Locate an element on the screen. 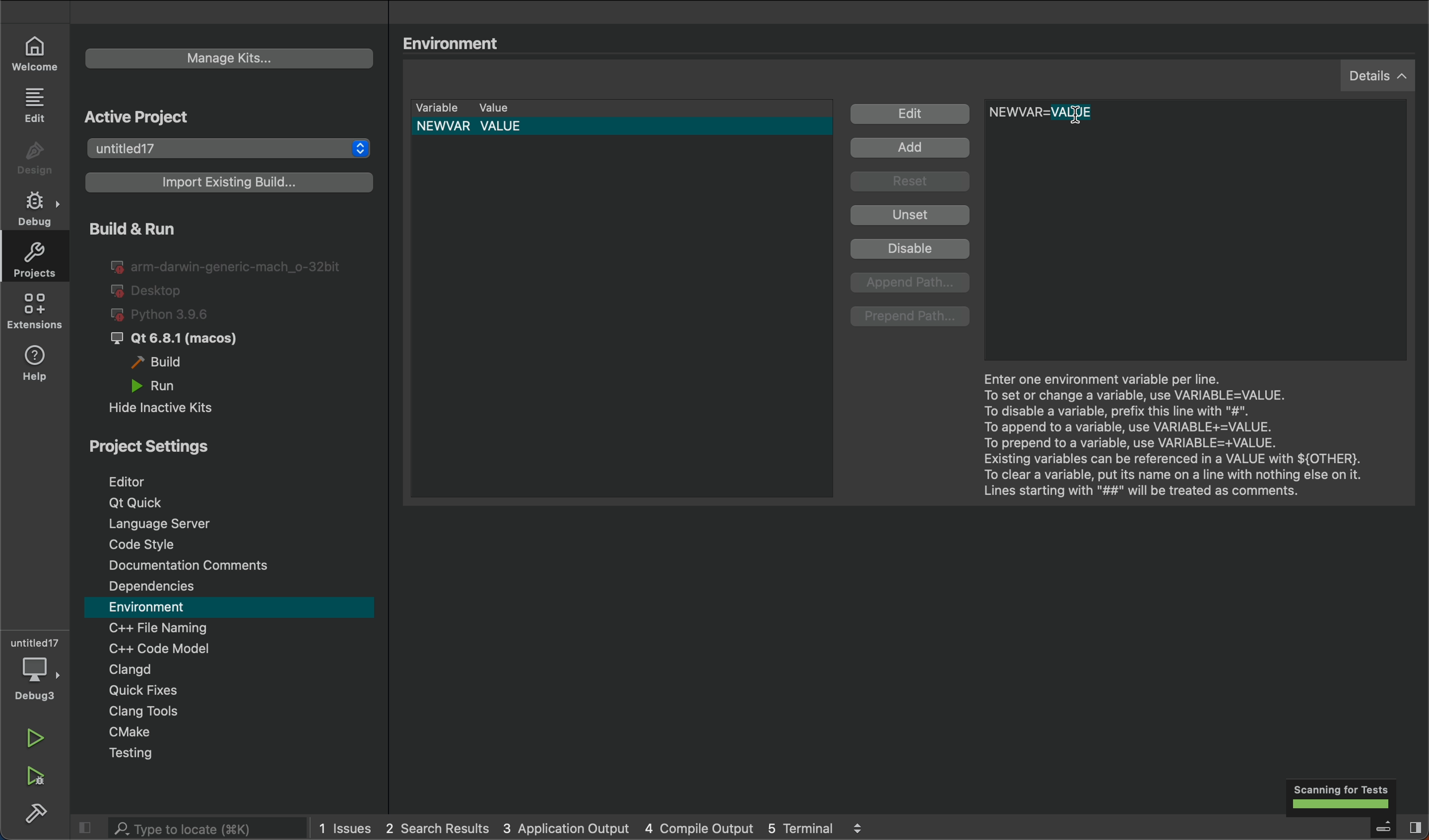  file naming is located at coordinates (232, 628).